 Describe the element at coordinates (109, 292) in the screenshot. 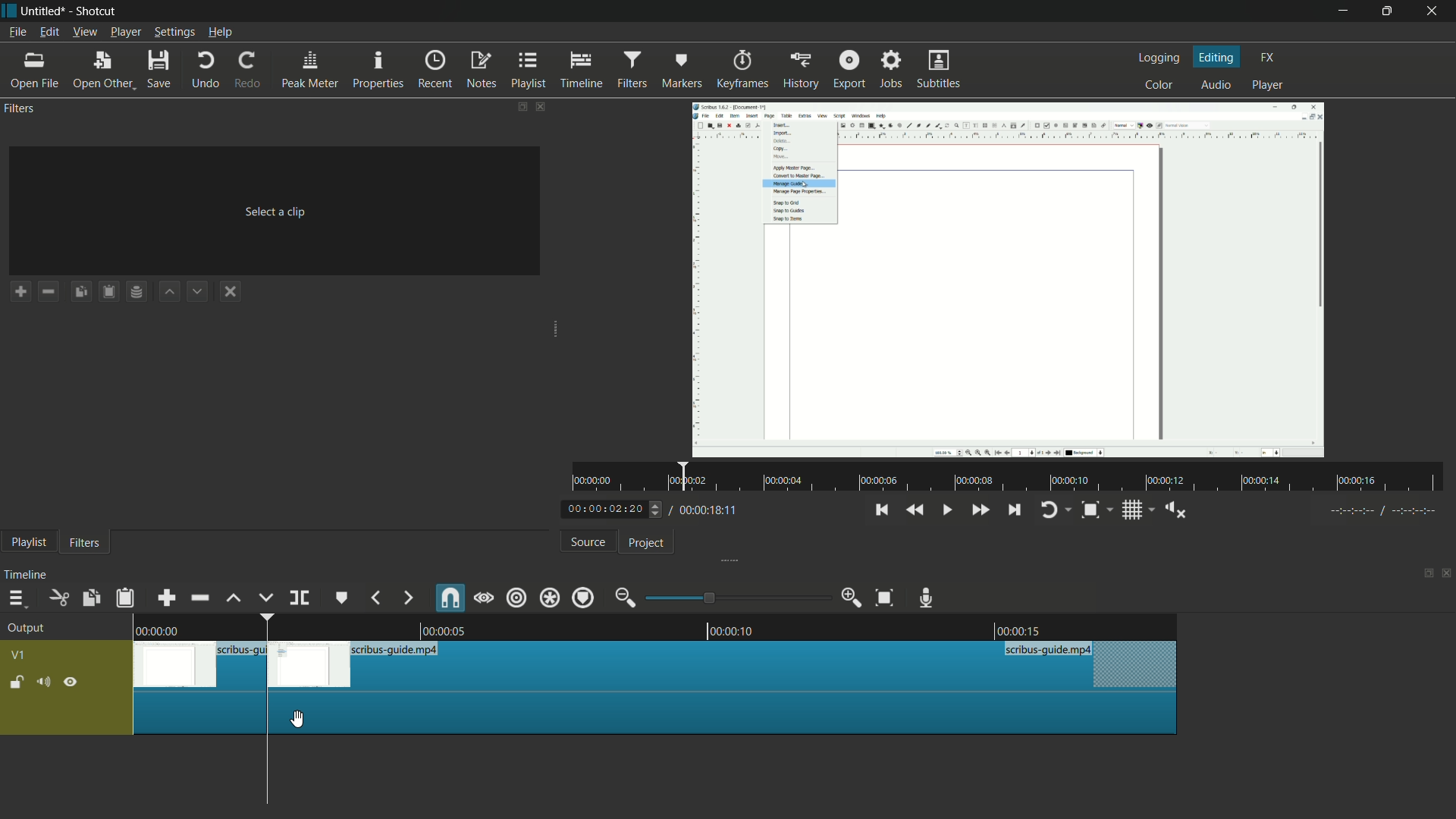

I see `paste filters` at that location.